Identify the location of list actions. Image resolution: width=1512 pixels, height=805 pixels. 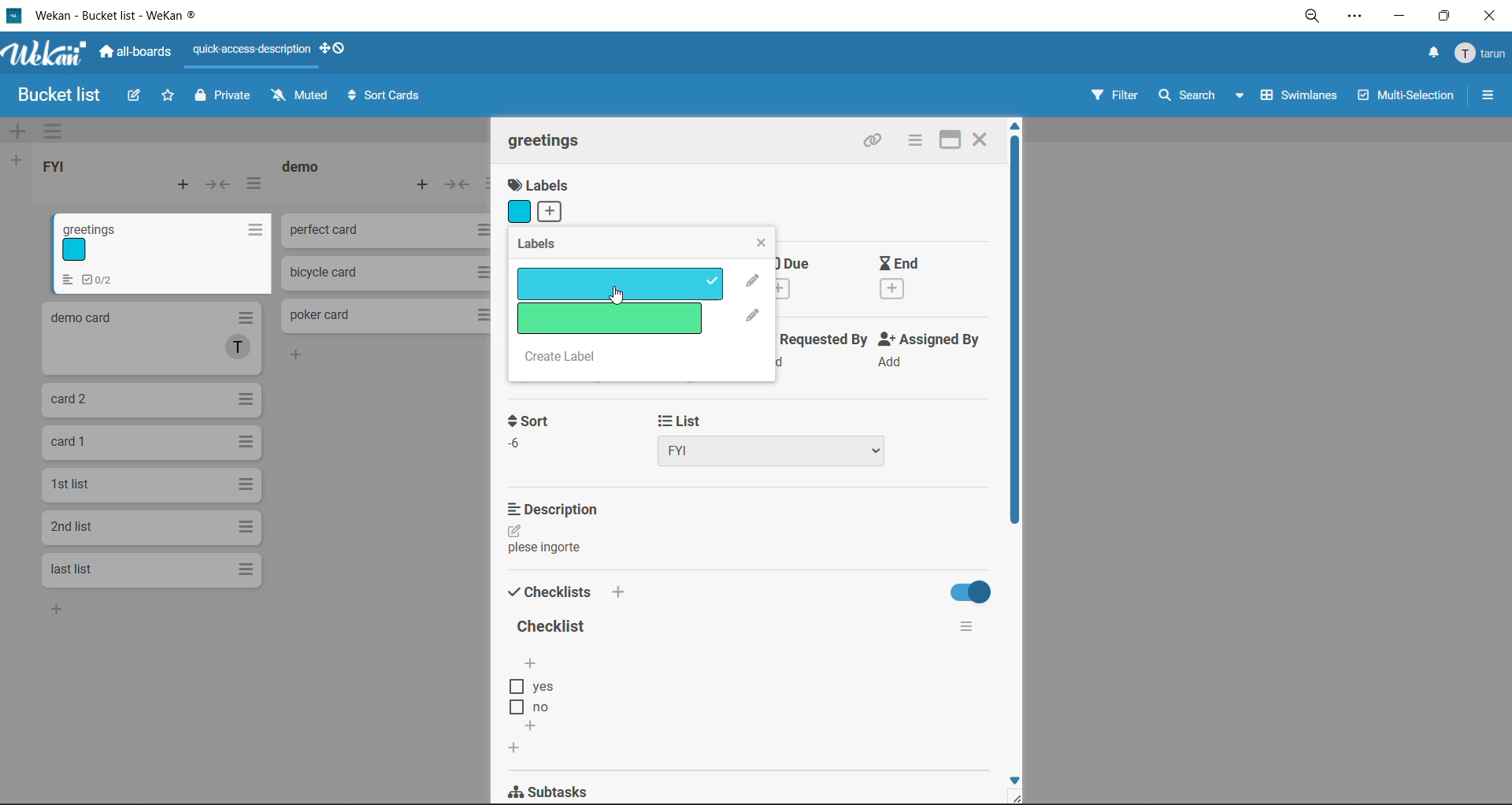
(254, 184).